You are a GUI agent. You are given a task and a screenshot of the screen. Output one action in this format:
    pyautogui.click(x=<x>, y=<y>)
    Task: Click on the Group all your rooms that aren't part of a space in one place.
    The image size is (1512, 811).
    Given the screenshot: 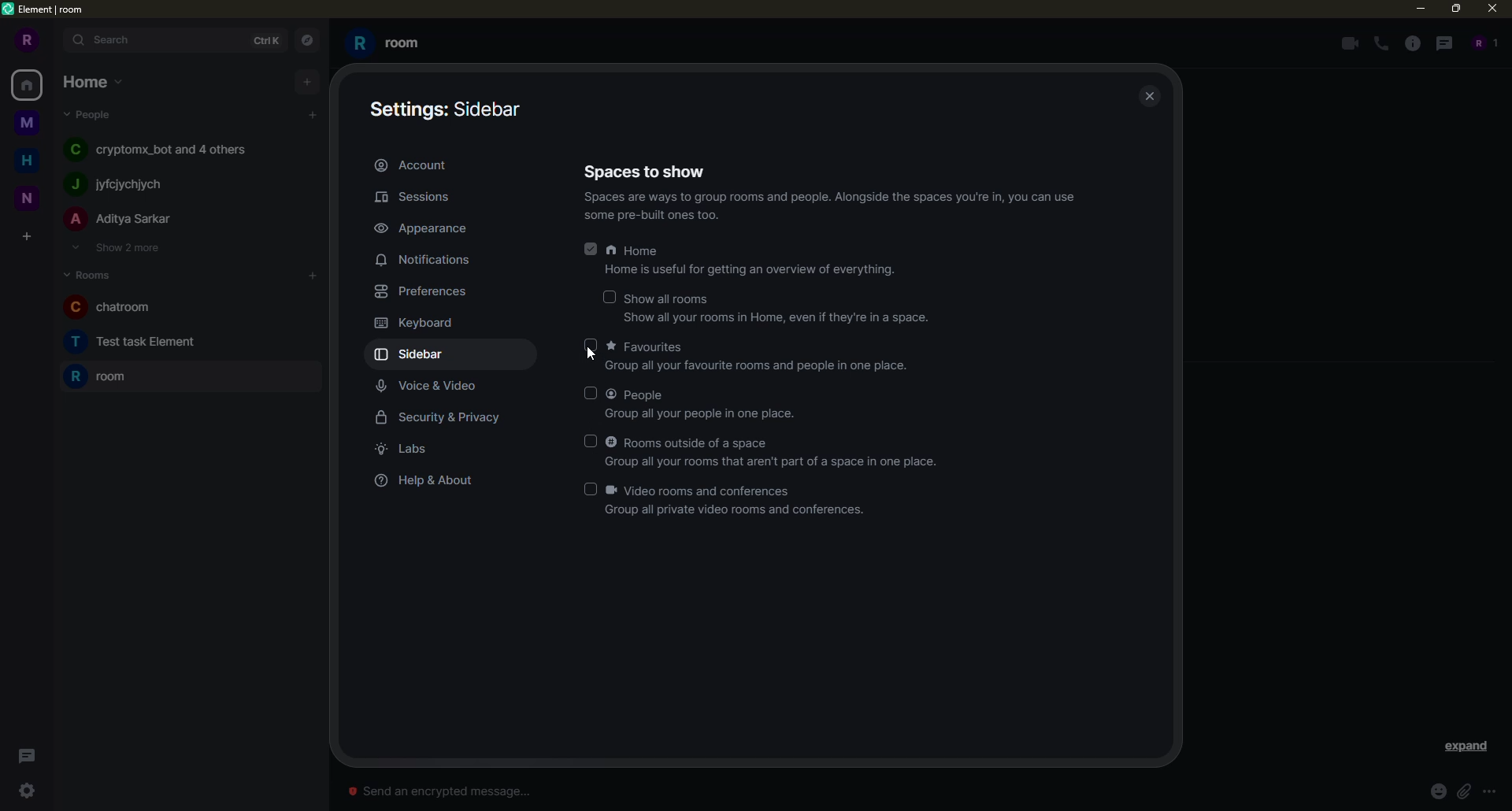 What is the action you would take?
    pyautogui.click(x=781, y=460)
    